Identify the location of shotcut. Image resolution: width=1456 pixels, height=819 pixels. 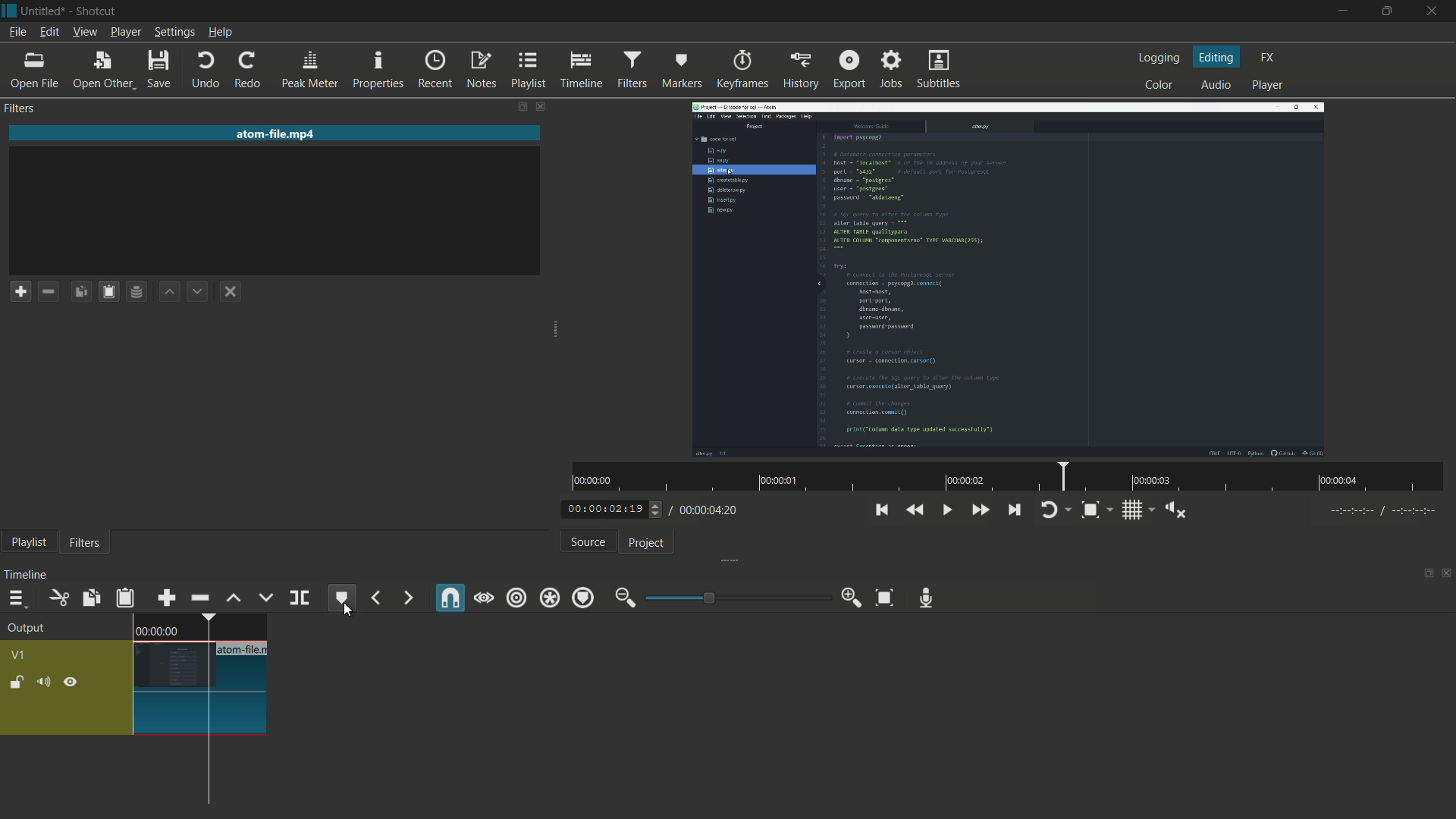
(97, 10).